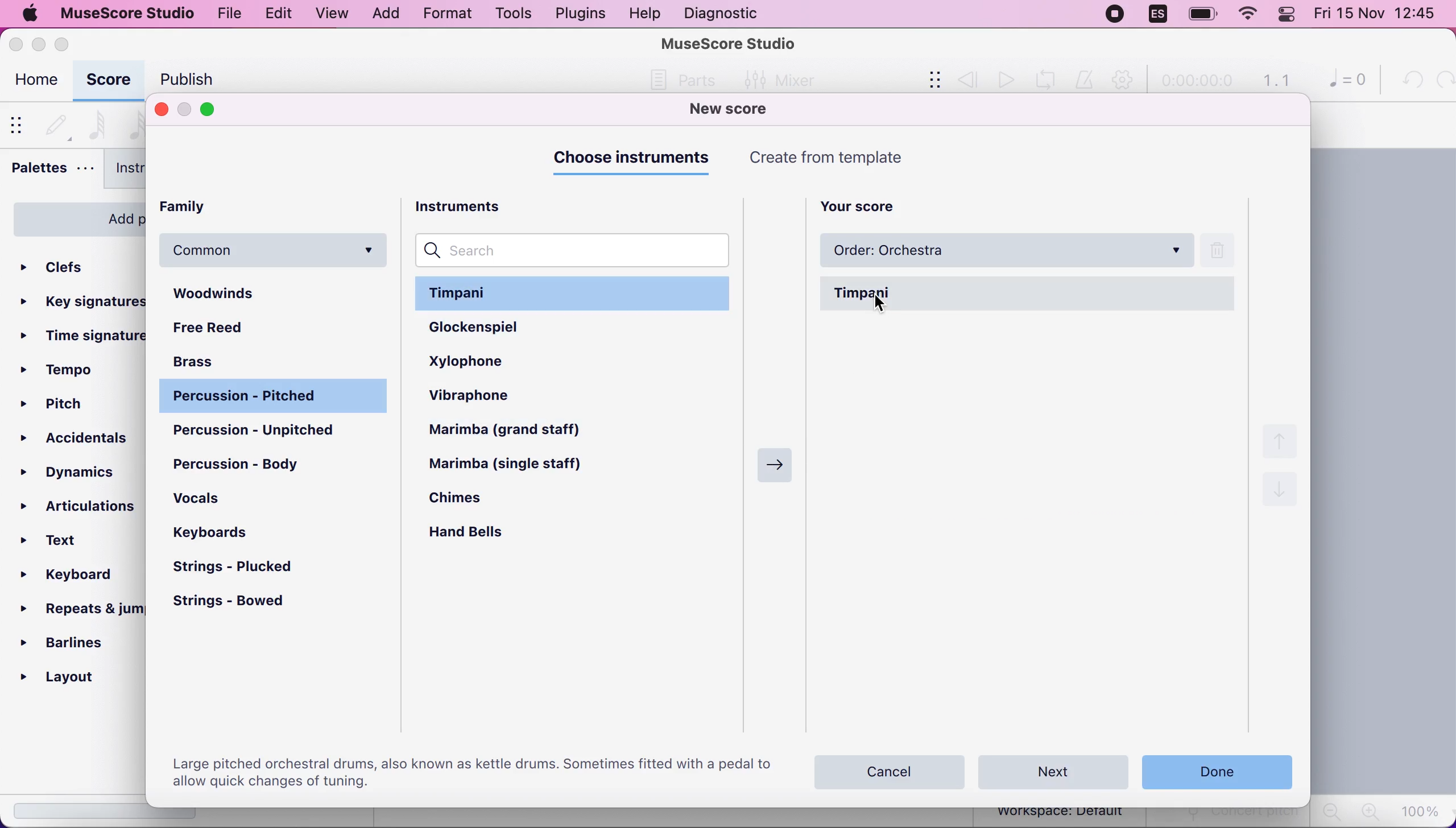 This screenshot has width=1456, height=828. What do you see at coordinates (508, 14) in the screenshot?
I see `tools` at bounding box center [508, 14].